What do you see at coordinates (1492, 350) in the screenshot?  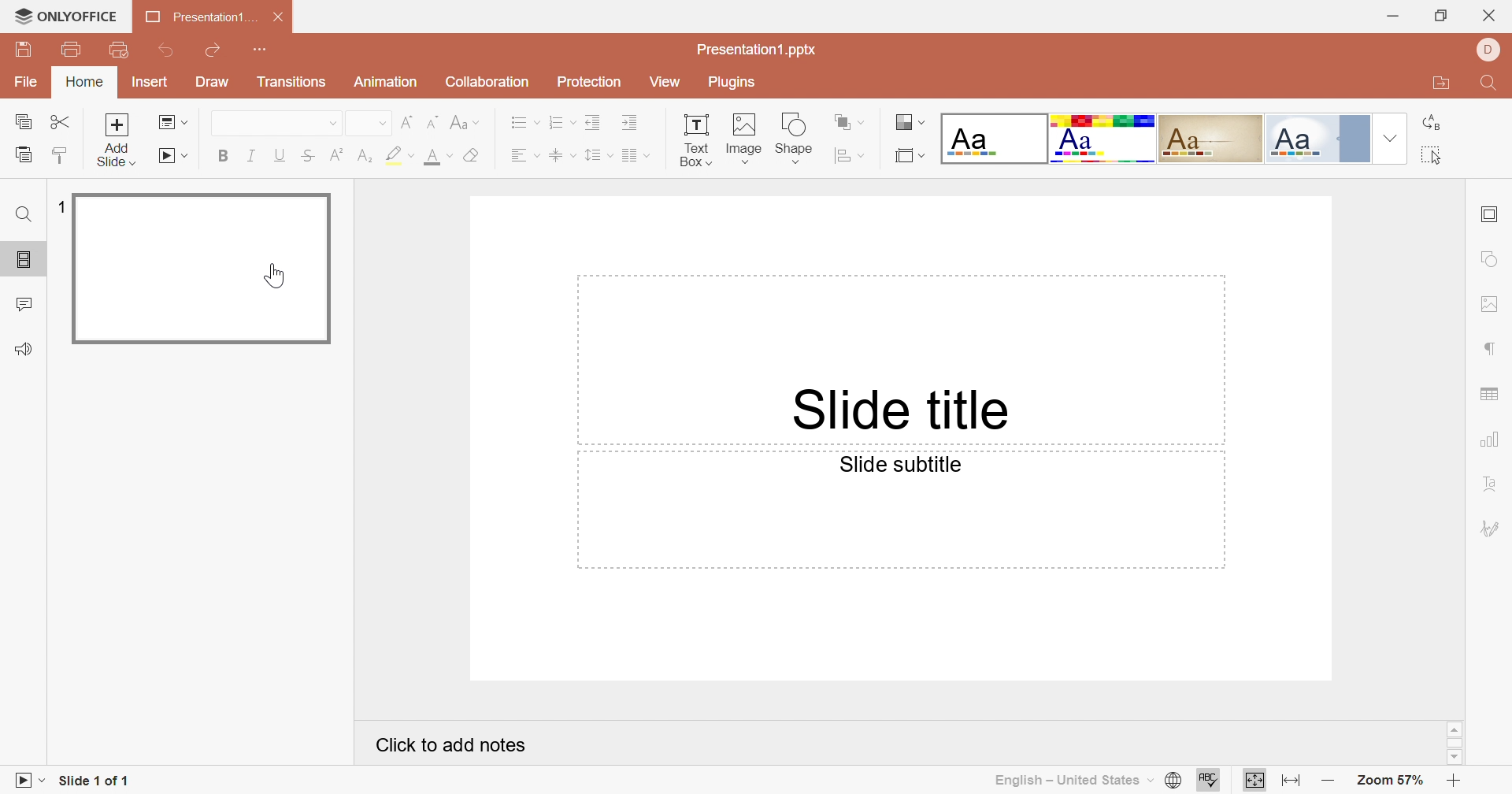 I see `Paragraph settings` at bounding box center [1492, 350].